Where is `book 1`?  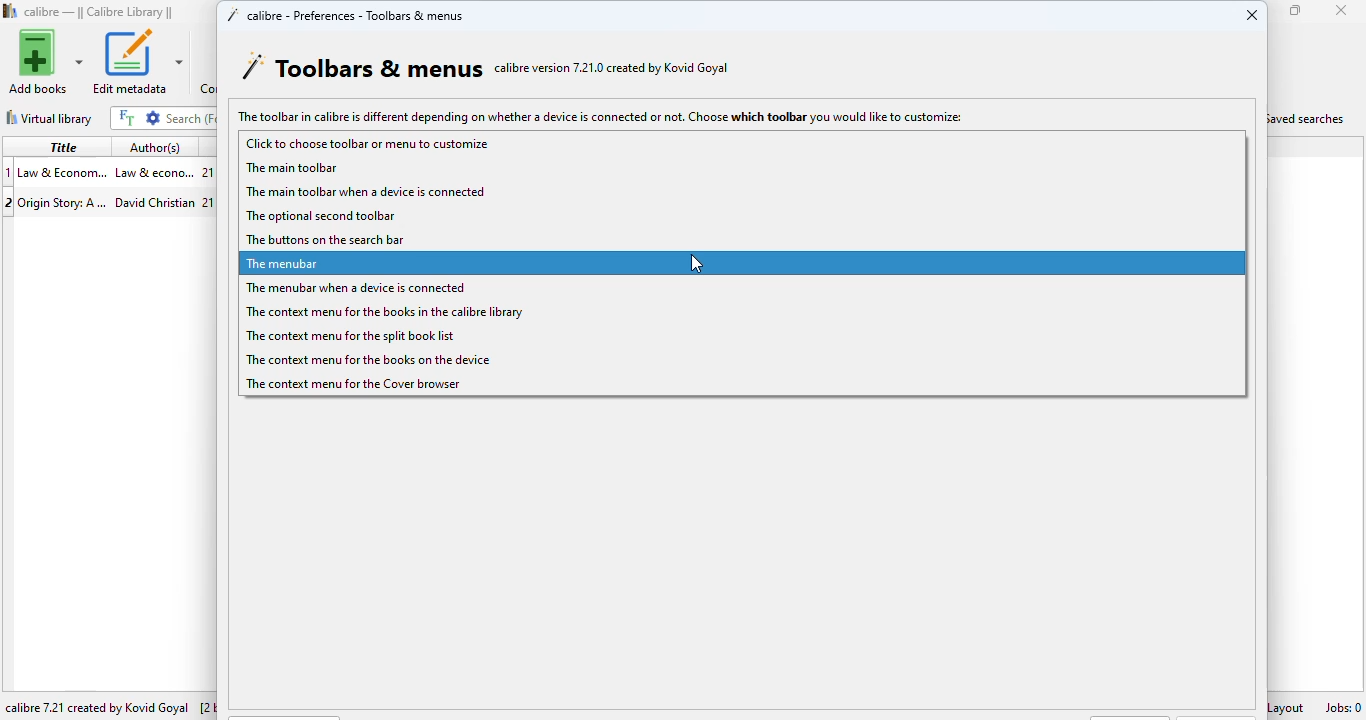 book 1 is located at coordinates (107, 171).